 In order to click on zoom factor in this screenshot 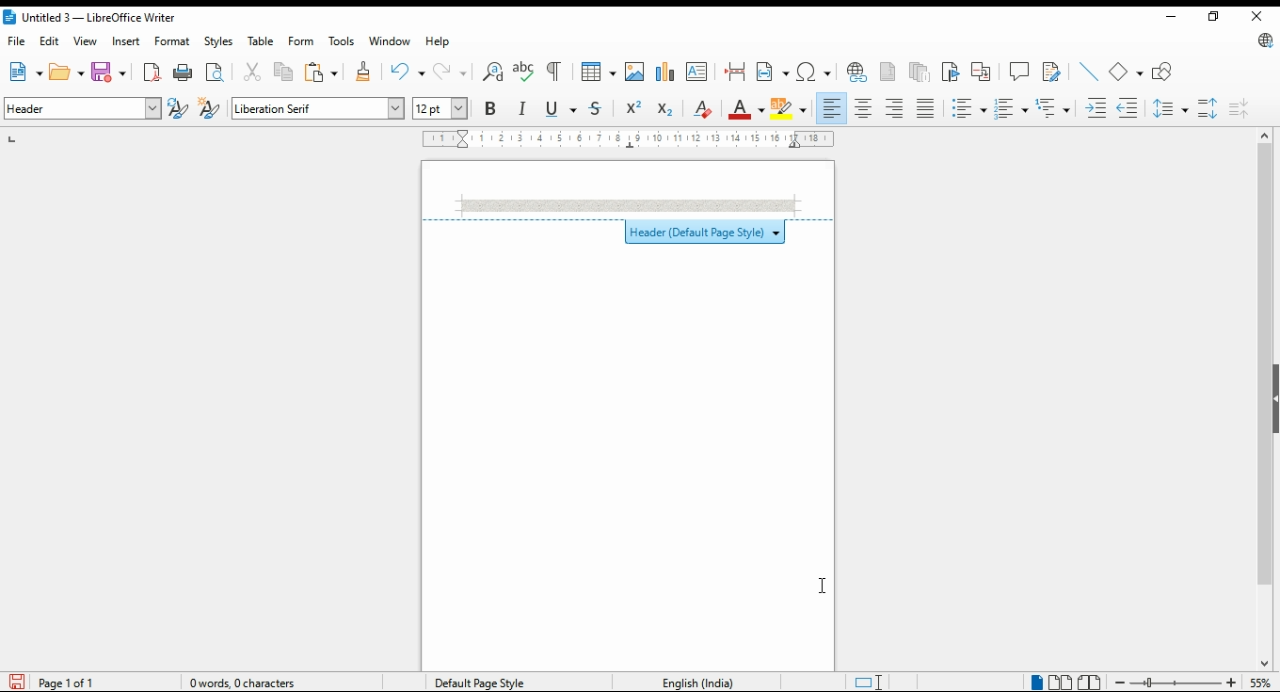, I will do `click(1261, 682)`.